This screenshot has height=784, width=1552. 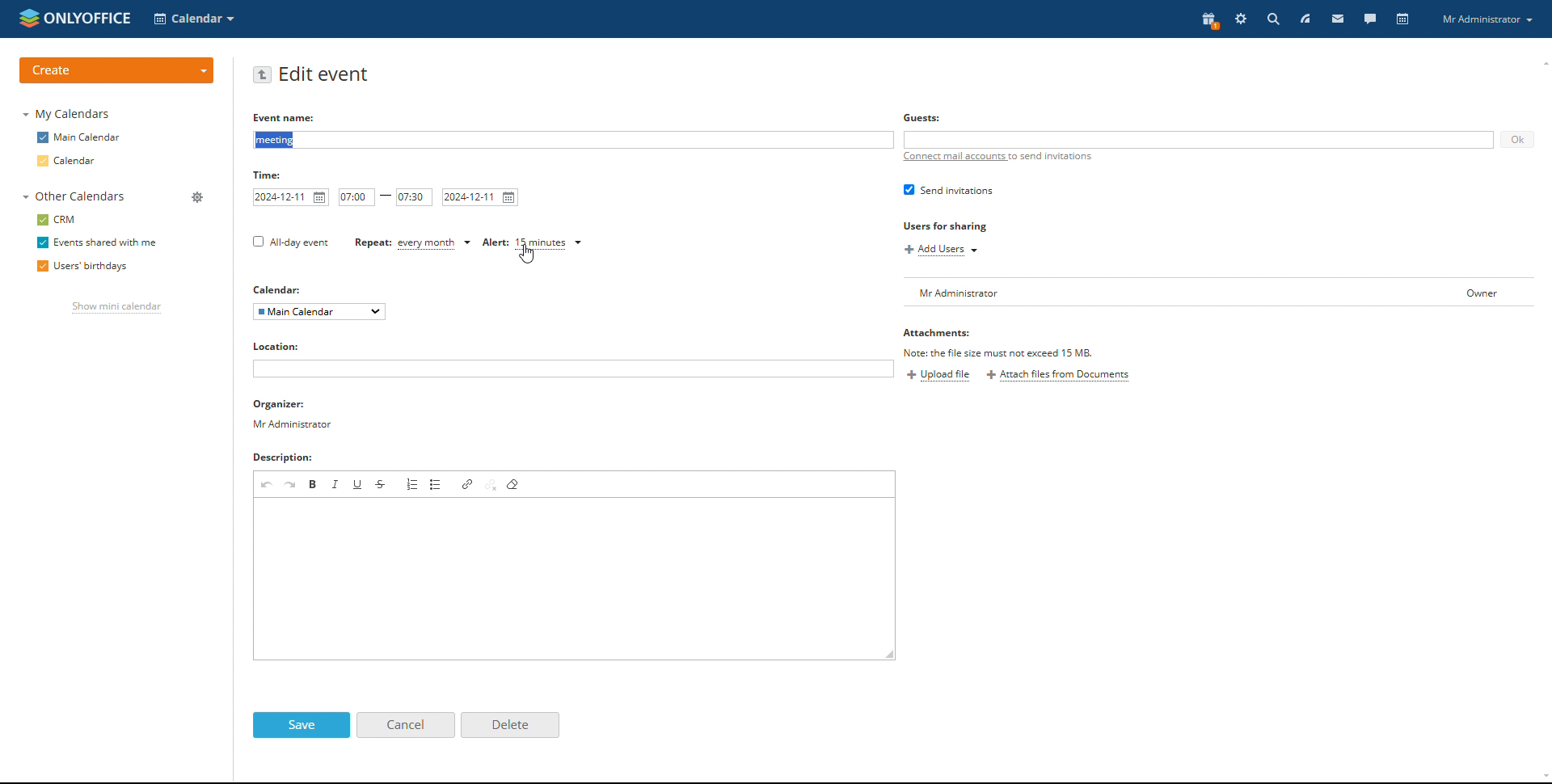 What do you see at coordinates (1466, 289) in the screenshot?
I see `Owner` at bounding box center [1466, 289].